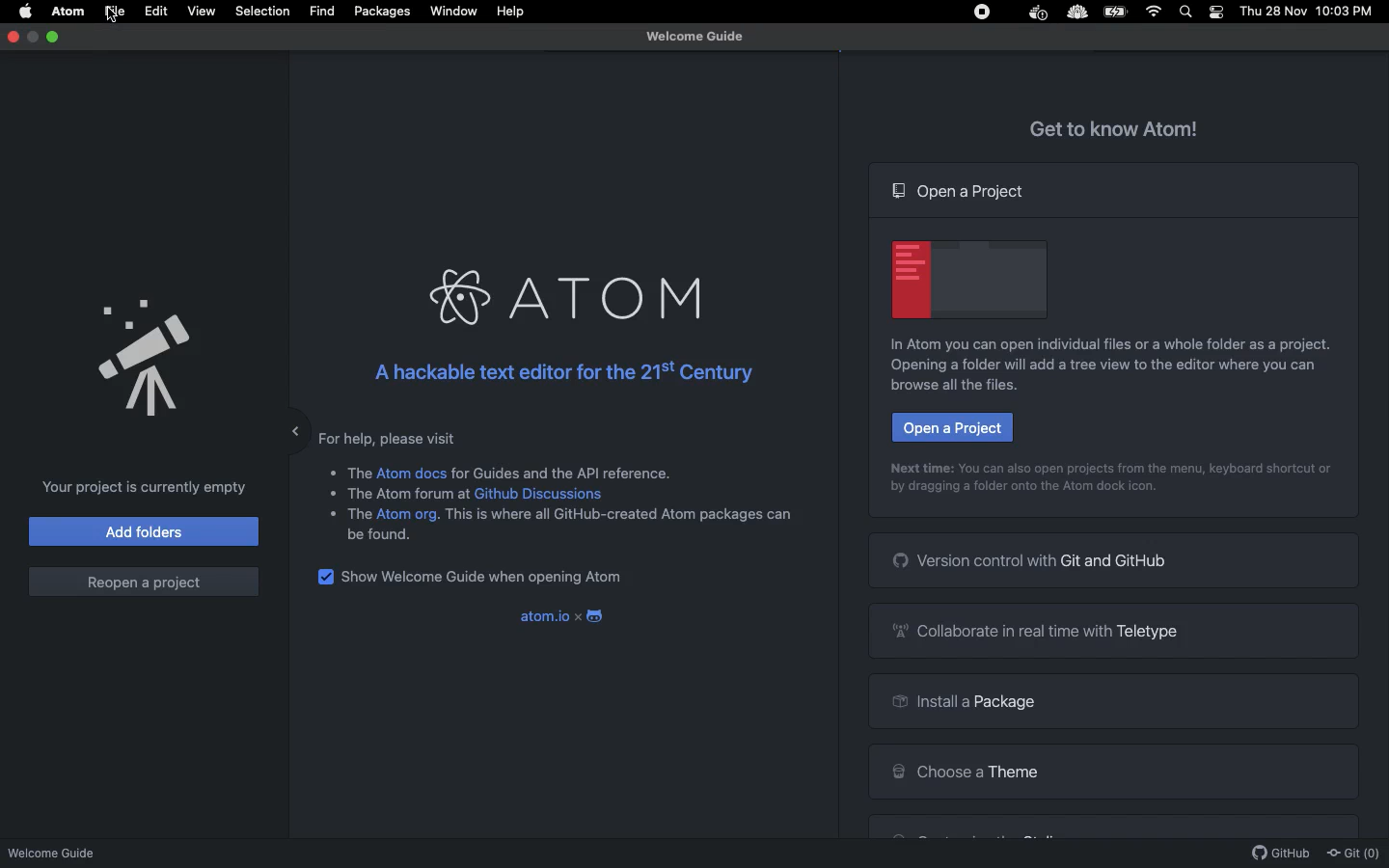 The height and width of the screenshot is (868, 1389). What do you see at coordinates (359, 514) in the screenshot?
I see `text` at bounding box center [359, 514].